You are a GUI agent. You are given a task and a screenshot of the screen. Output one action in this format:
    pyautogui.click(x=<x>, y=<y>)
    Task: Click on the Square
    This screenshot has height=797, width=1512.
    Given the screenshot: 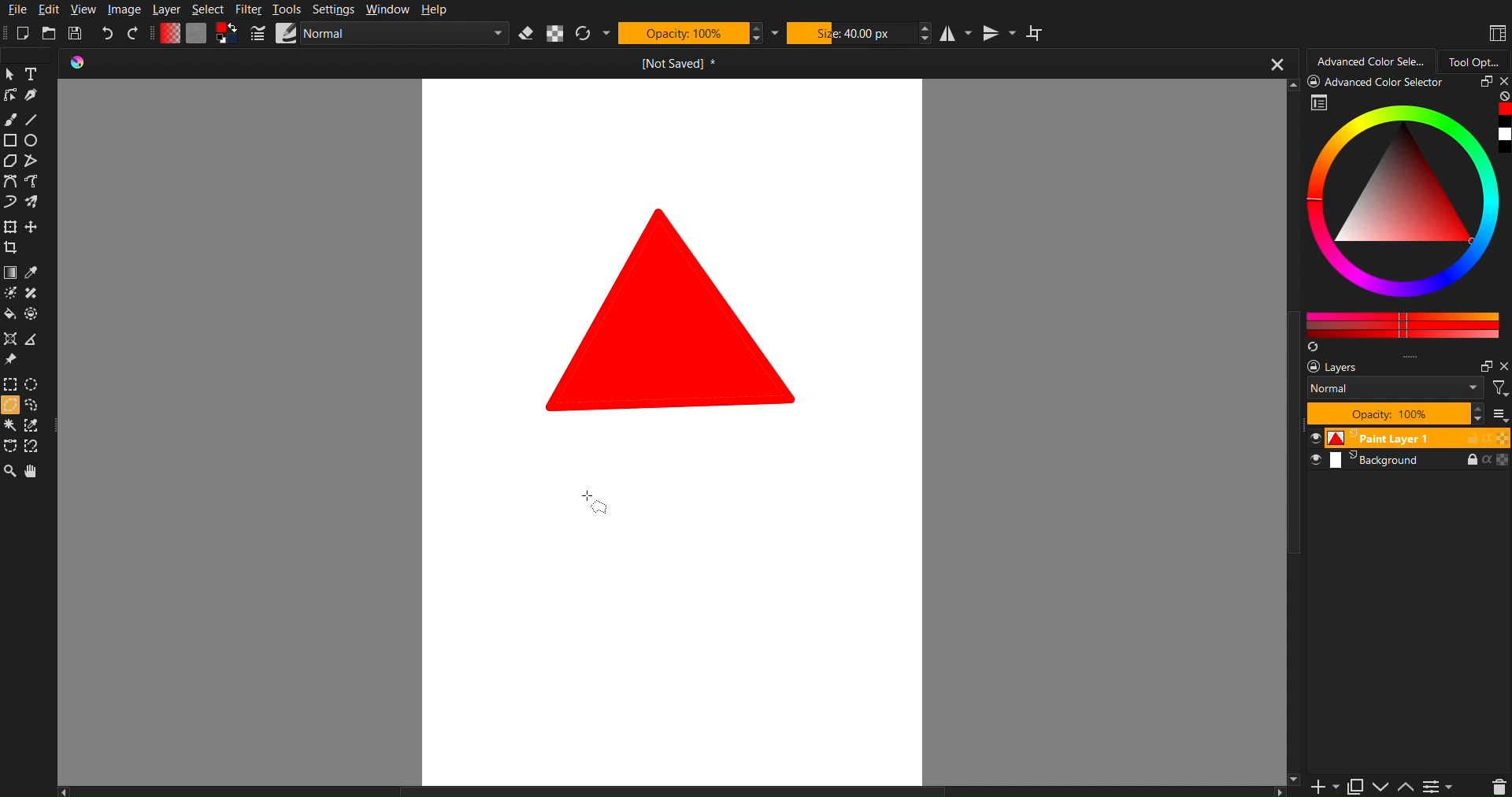 What is the action you would take?
    pyautogui.click(x=9, y=141)
    